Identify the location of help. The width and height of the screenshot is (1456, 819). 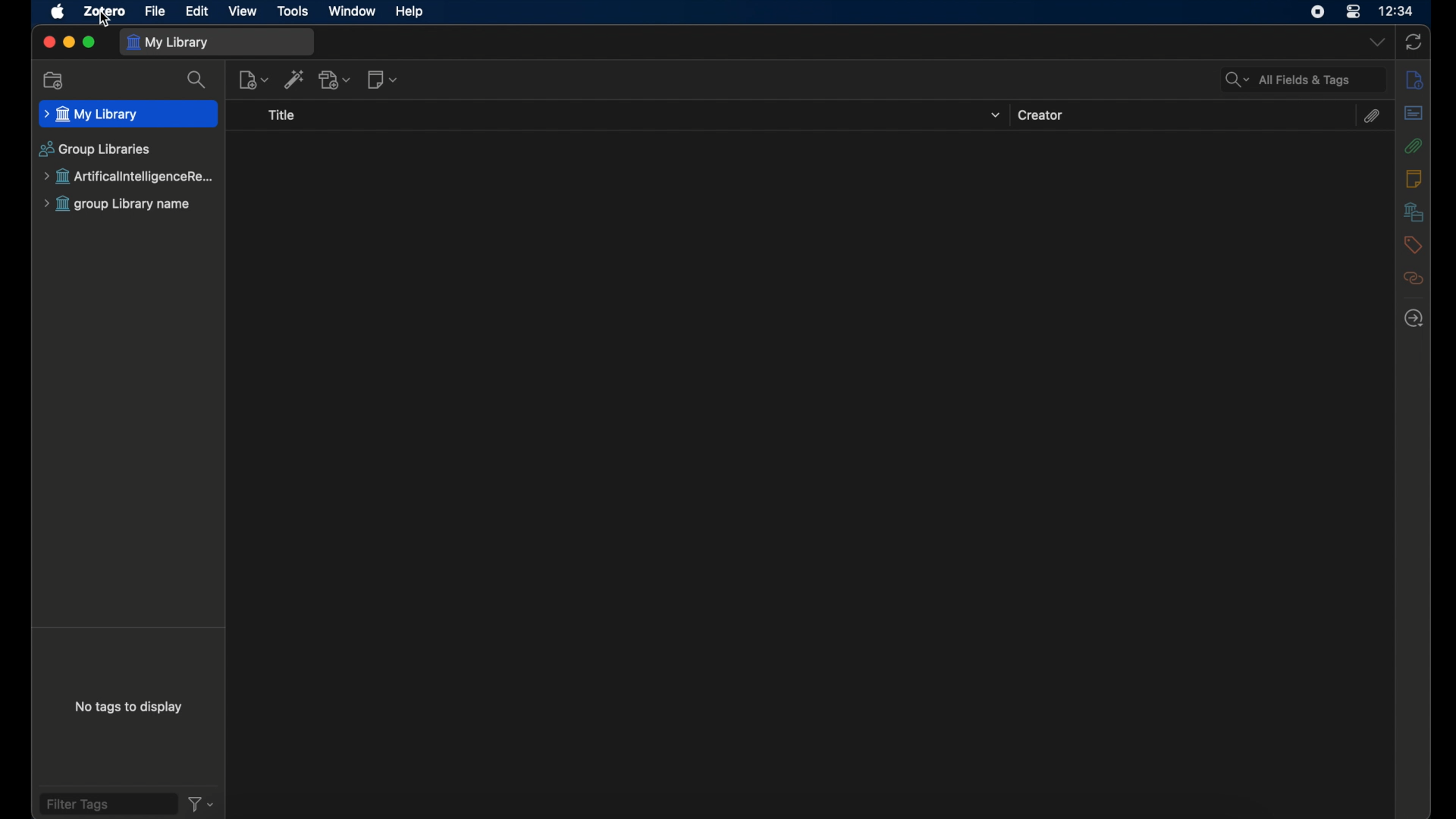
(411, 12).